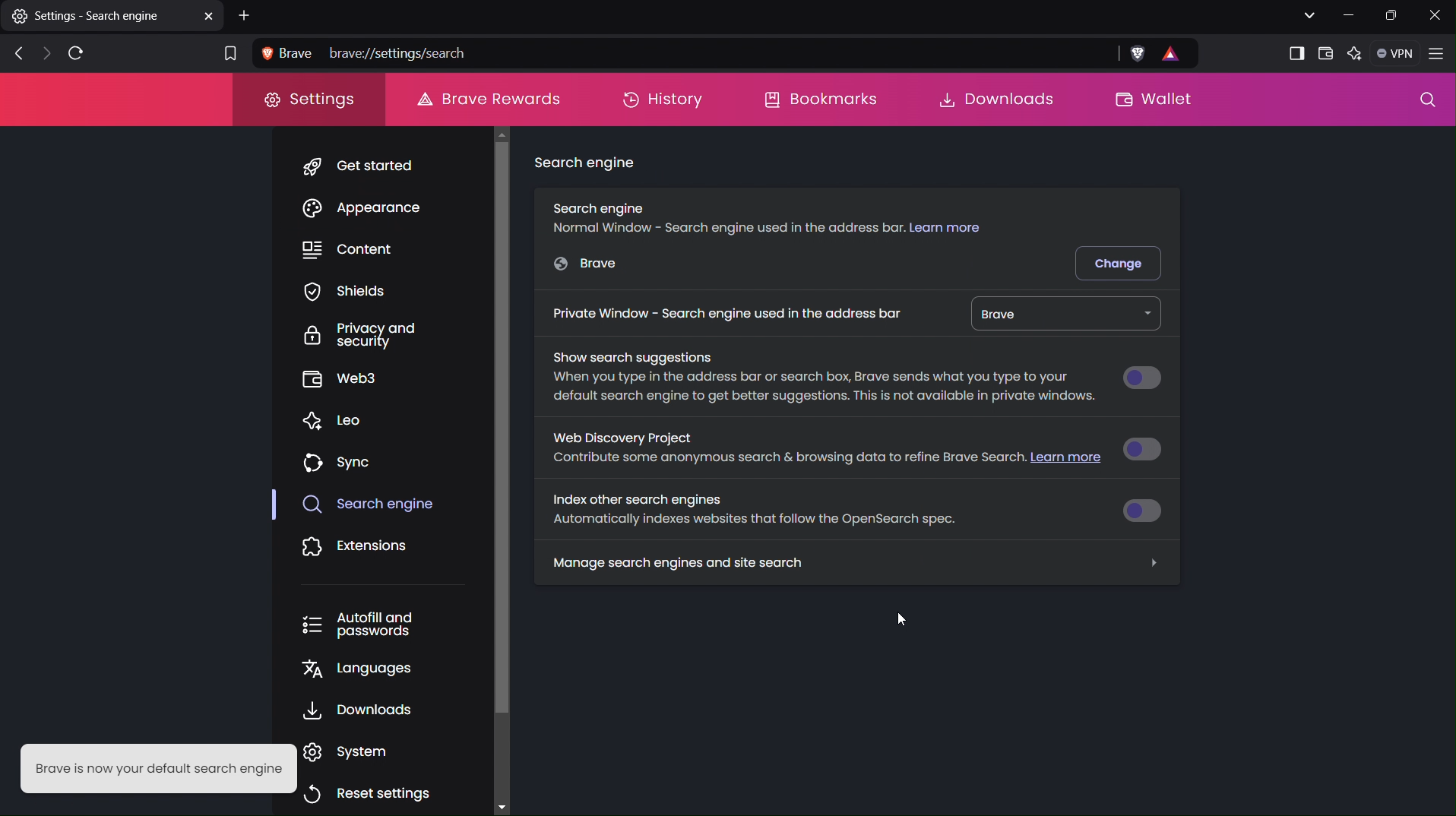  What do you see at coordinates (113, 19) in the screenshot?
I see `settings` at bounding box center [113, 19].